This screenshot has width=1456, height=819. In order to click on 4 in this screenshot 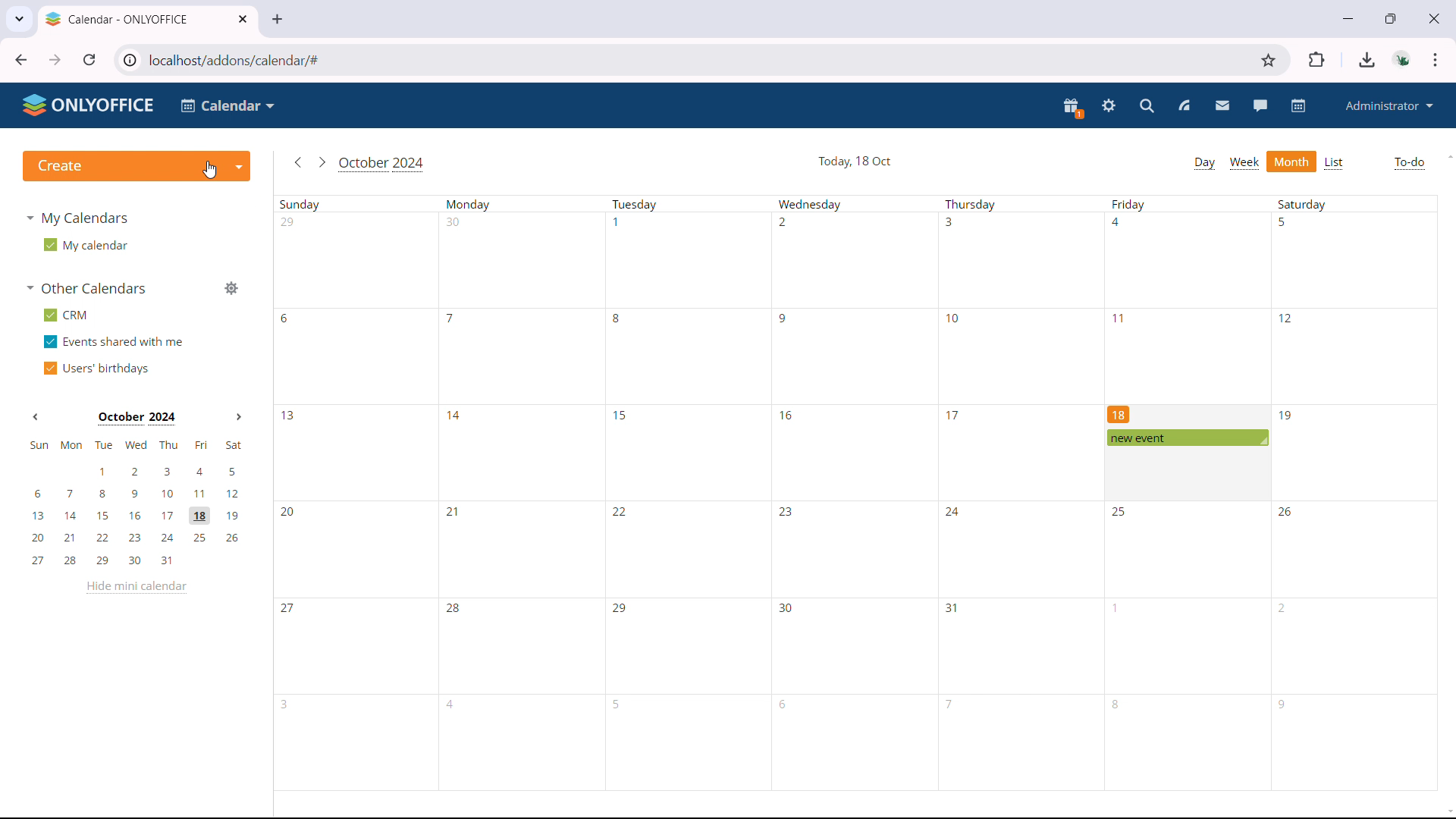, I will do `click(453, 704)`.